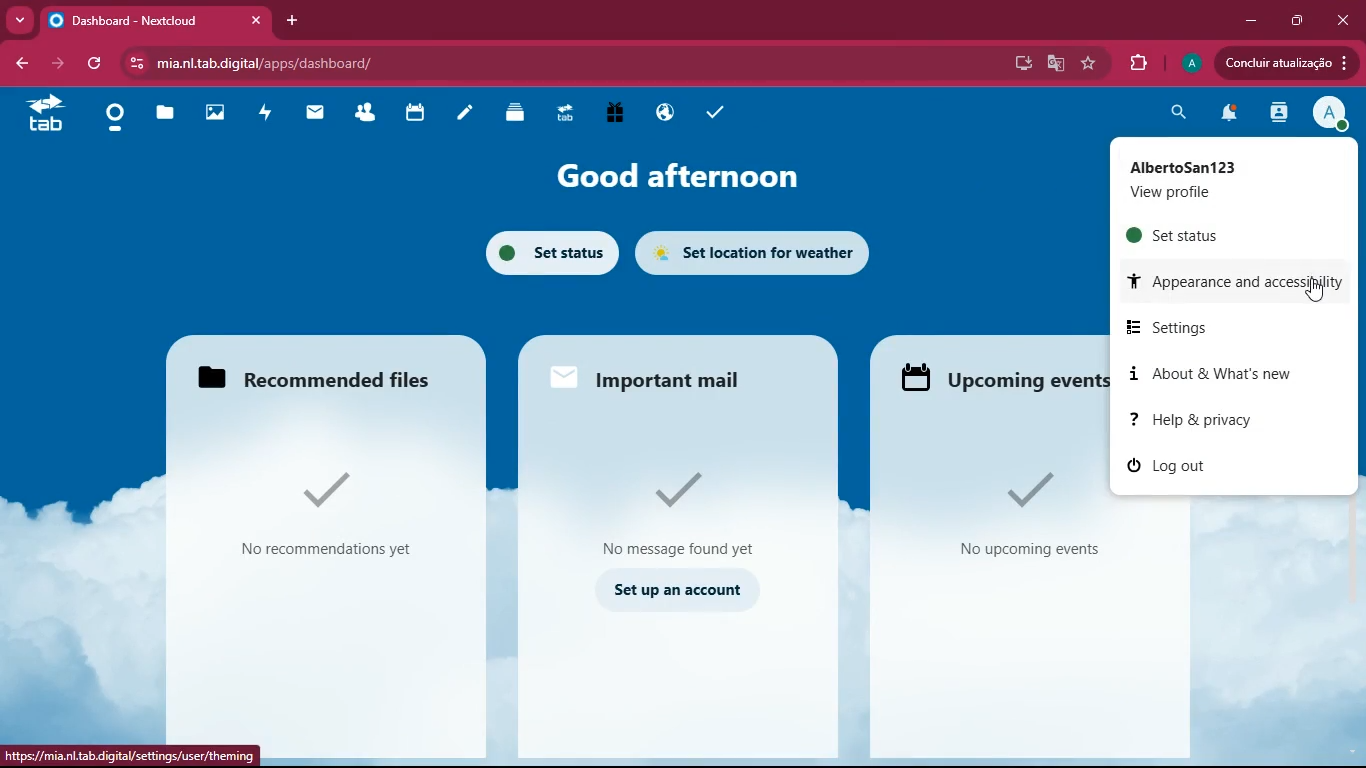 Image resolution: width=1366 pixels, height=768 pixels. What do you see at coordinates (1284, 63) in the screenshot?
I see `Concluir atualizacao` at bounding box center [1284, 63].